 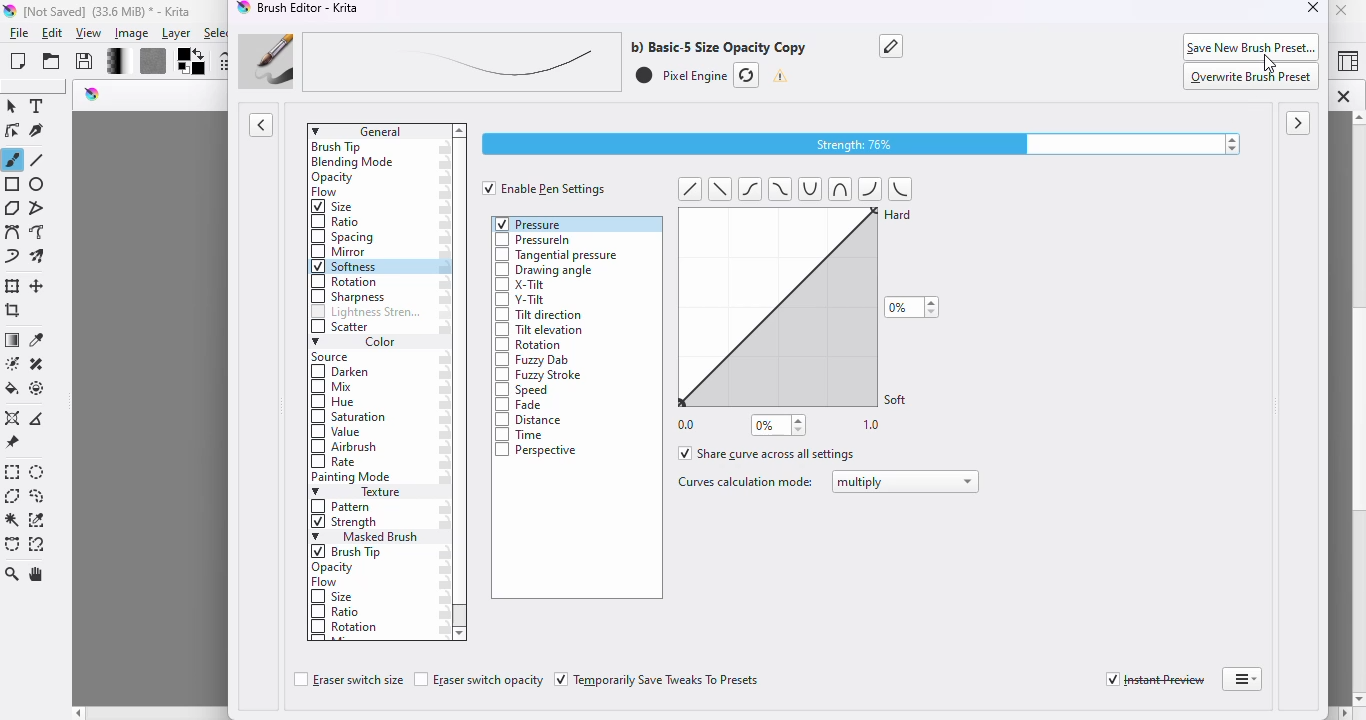 What do you see at coordinates (687, 423) in the screenshot?
I see `0.0` at bounding box center [687, 423].